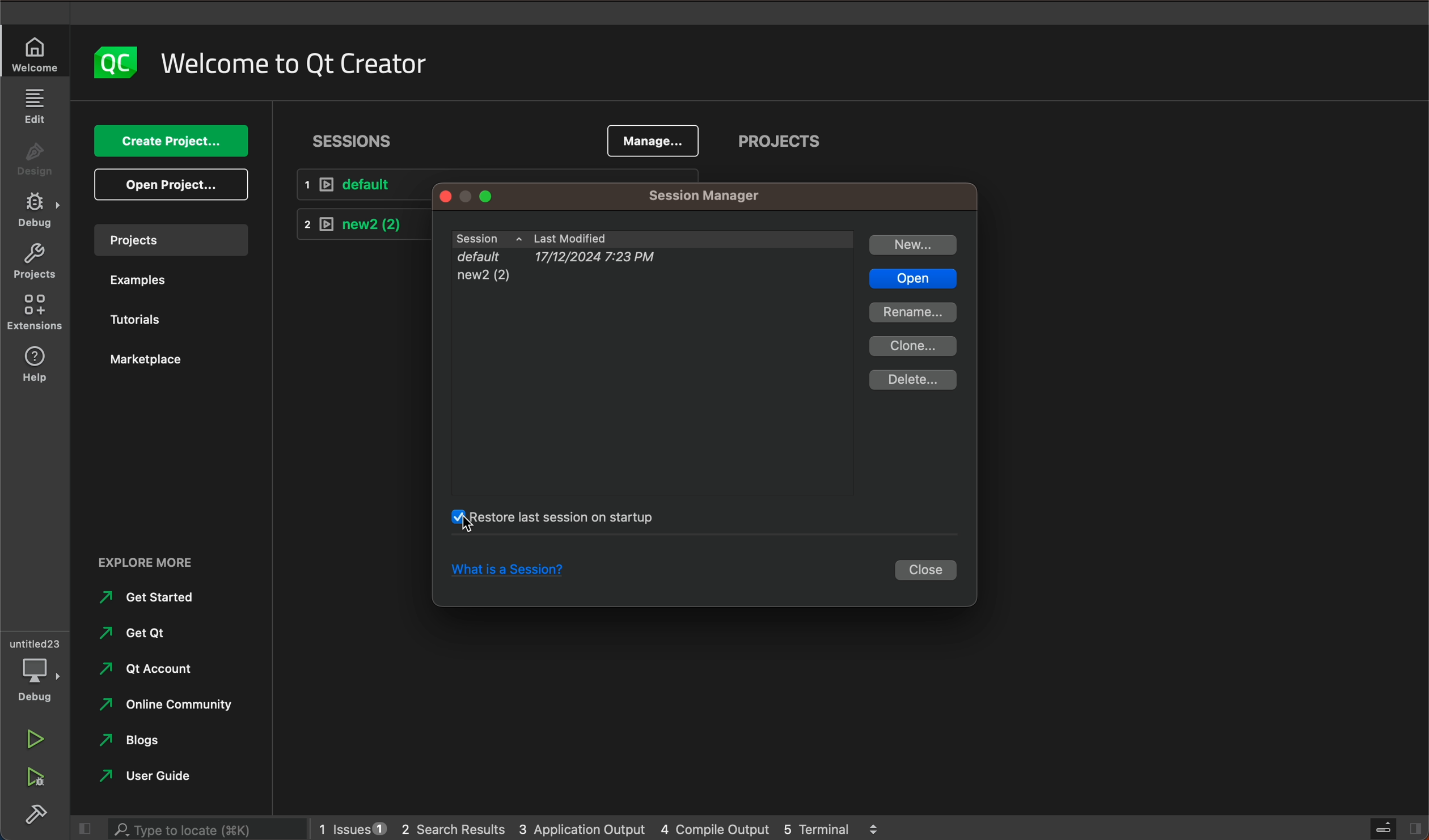  Describe the element at coordinates (169, 184) in the screenshot. I see `open` at that location.